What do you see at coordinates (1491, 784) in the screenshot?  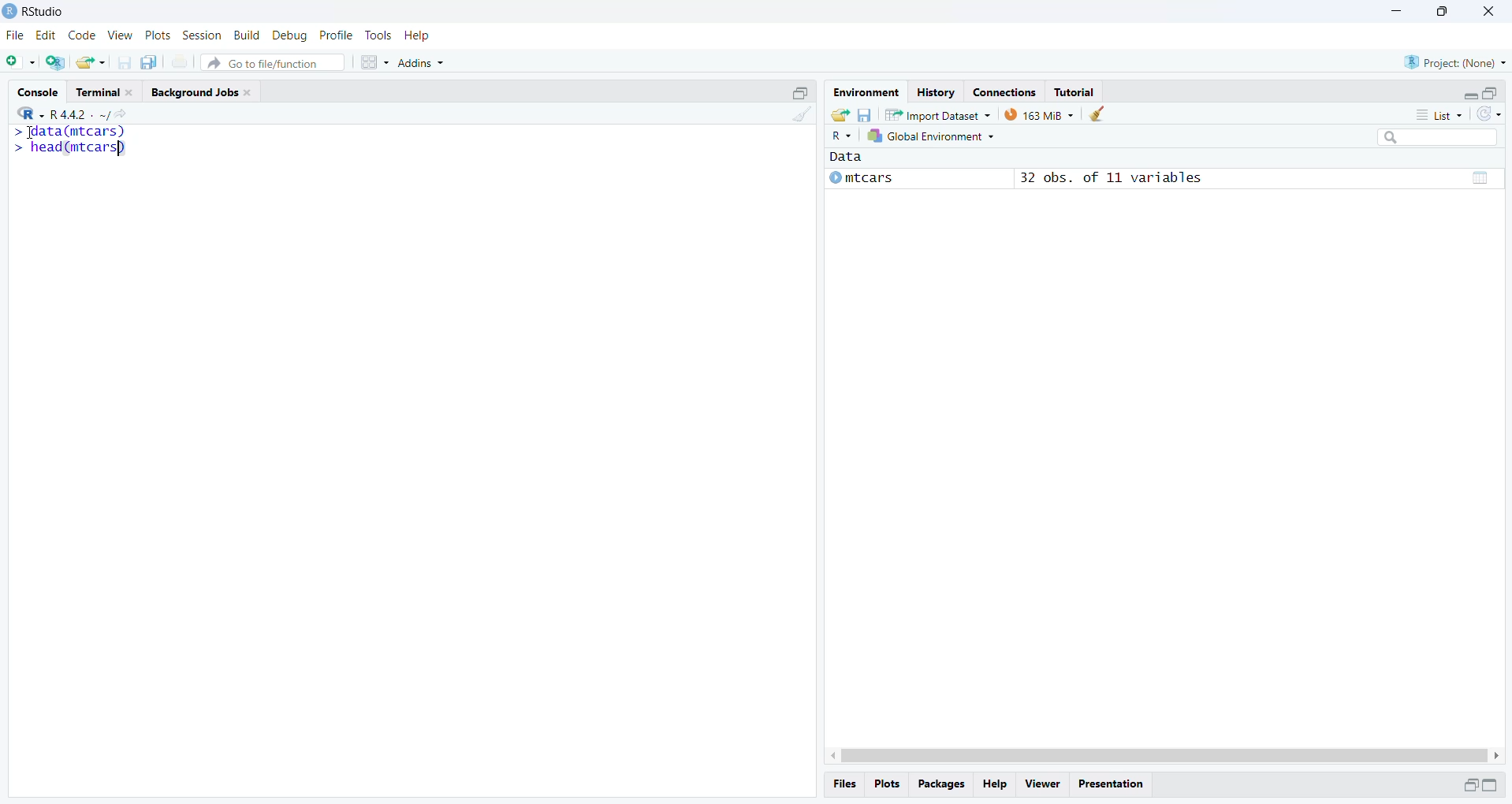 I see `expand/collapse` at bounding box center [1491, 784].